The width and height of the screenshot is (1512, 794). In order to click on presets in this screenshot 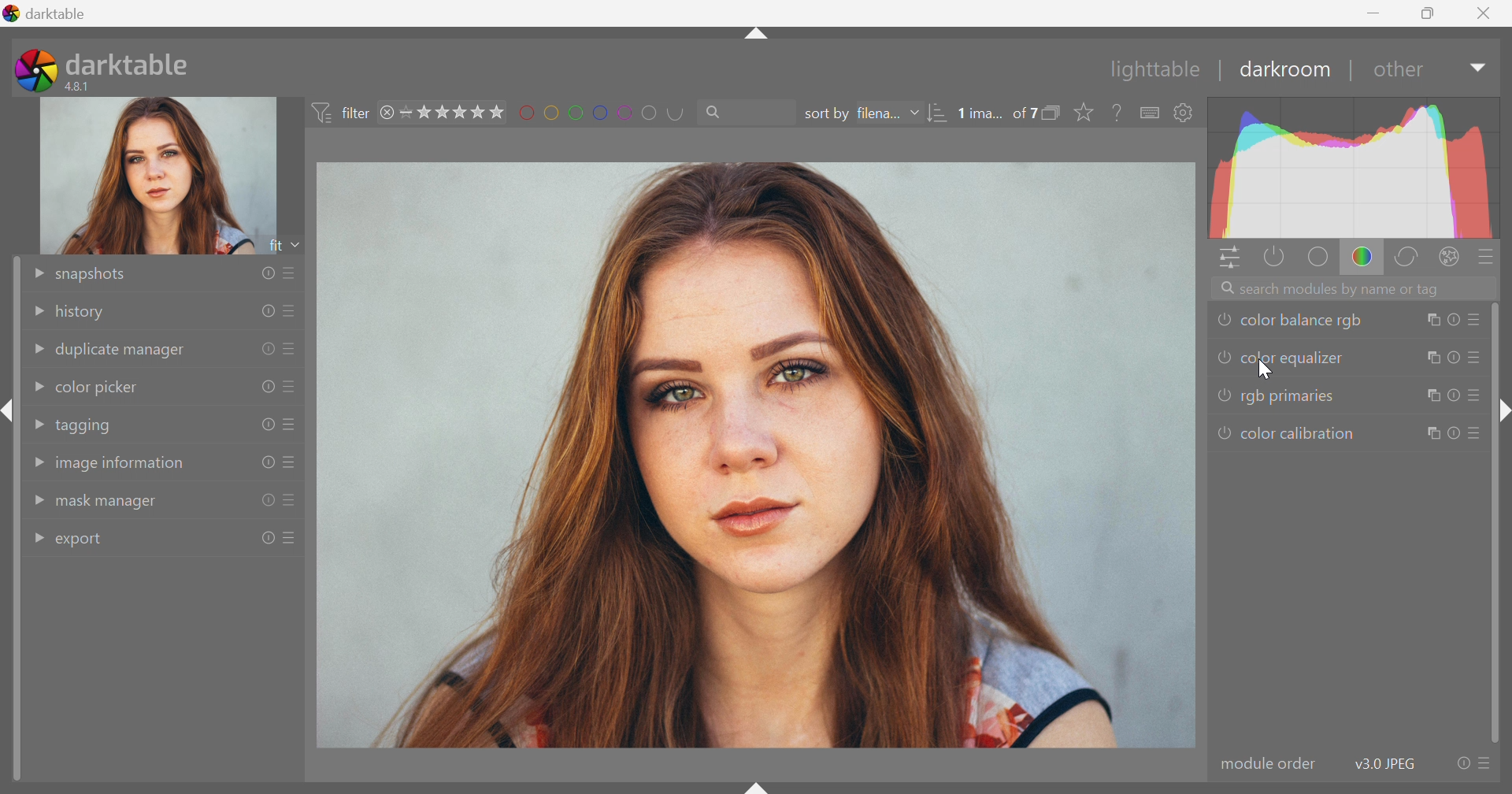, I will do `click(295, 536)`.